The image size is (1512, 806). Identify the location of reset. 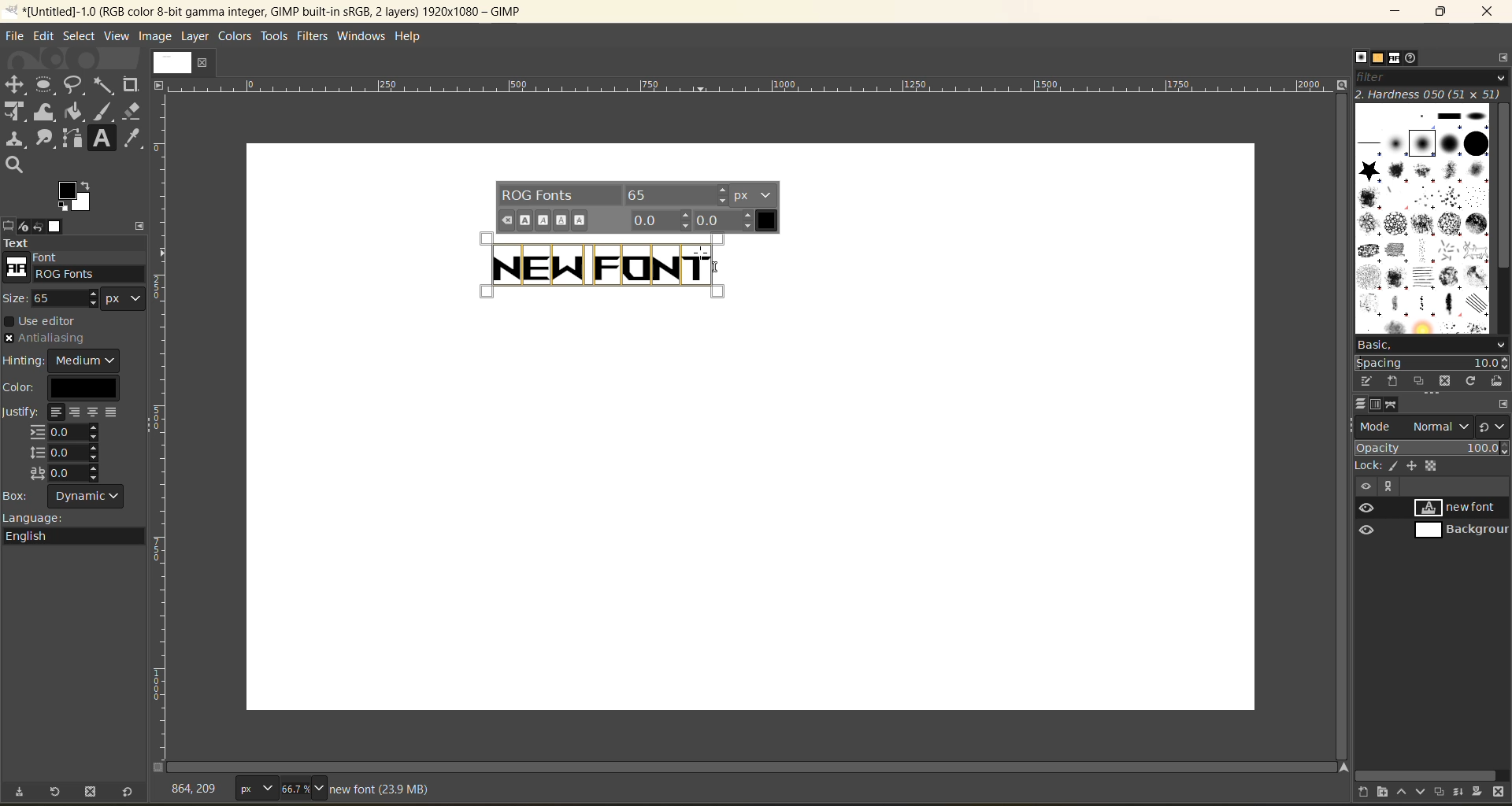
(132, 790).